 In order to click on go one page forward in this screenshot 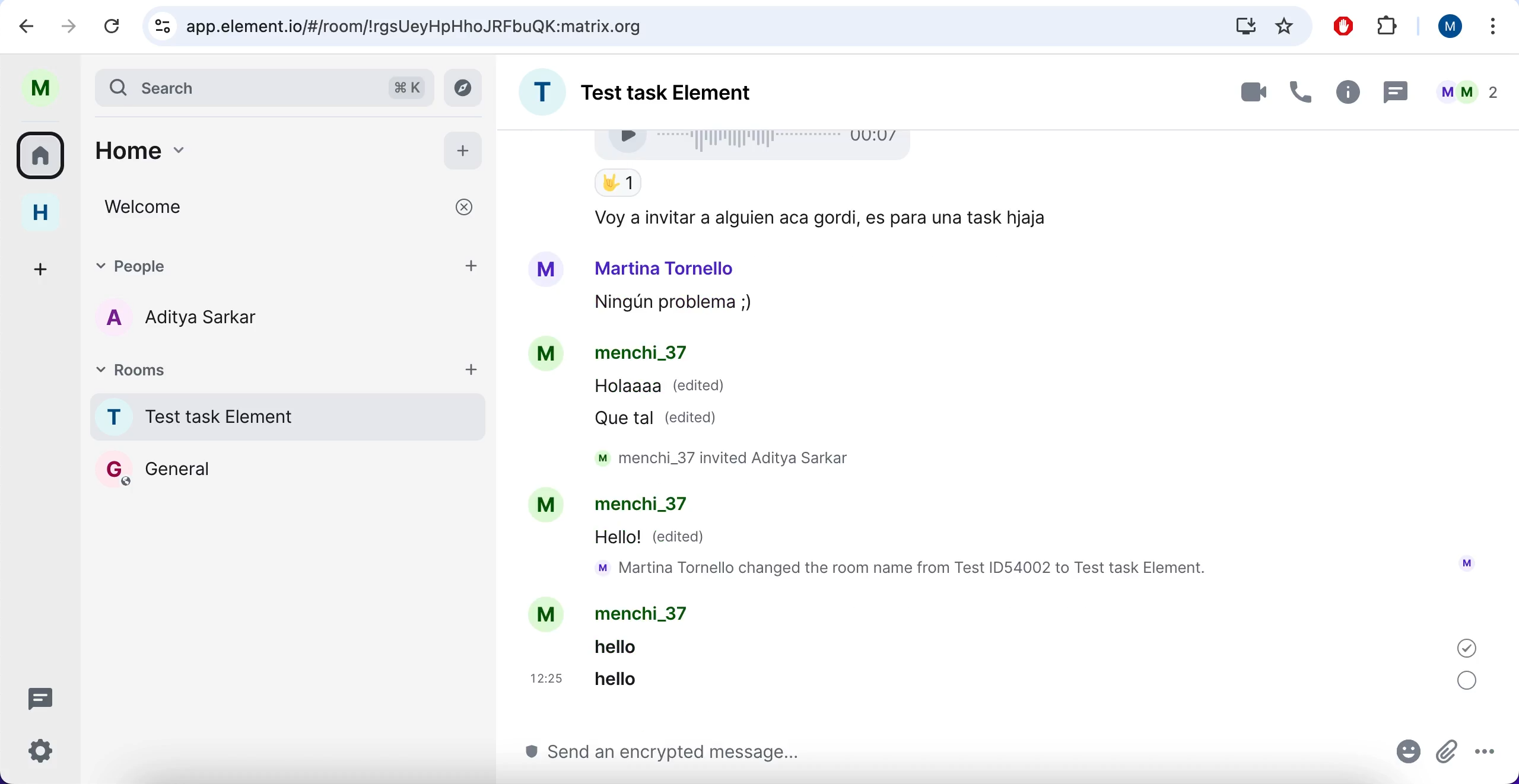, I will do `click(72, 25)`.